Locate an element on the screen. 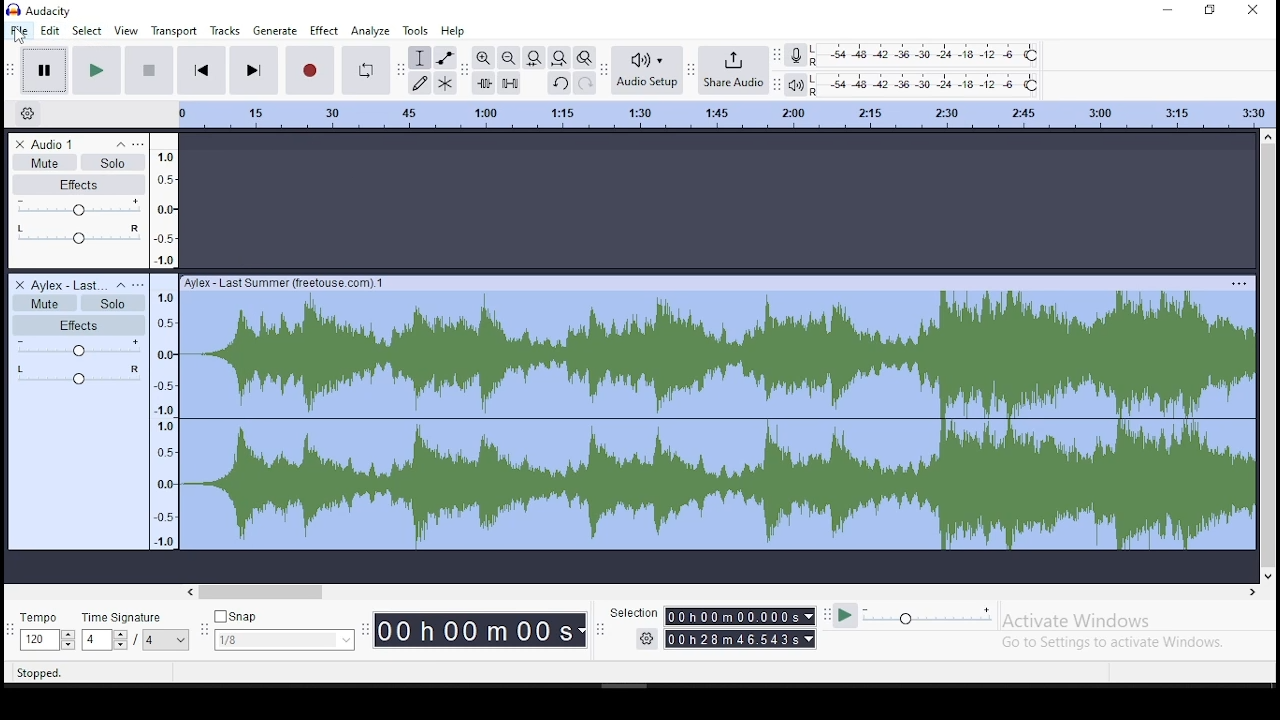 This screenshot has width=1280, height=720. icon is located at coordinates (43, 11).